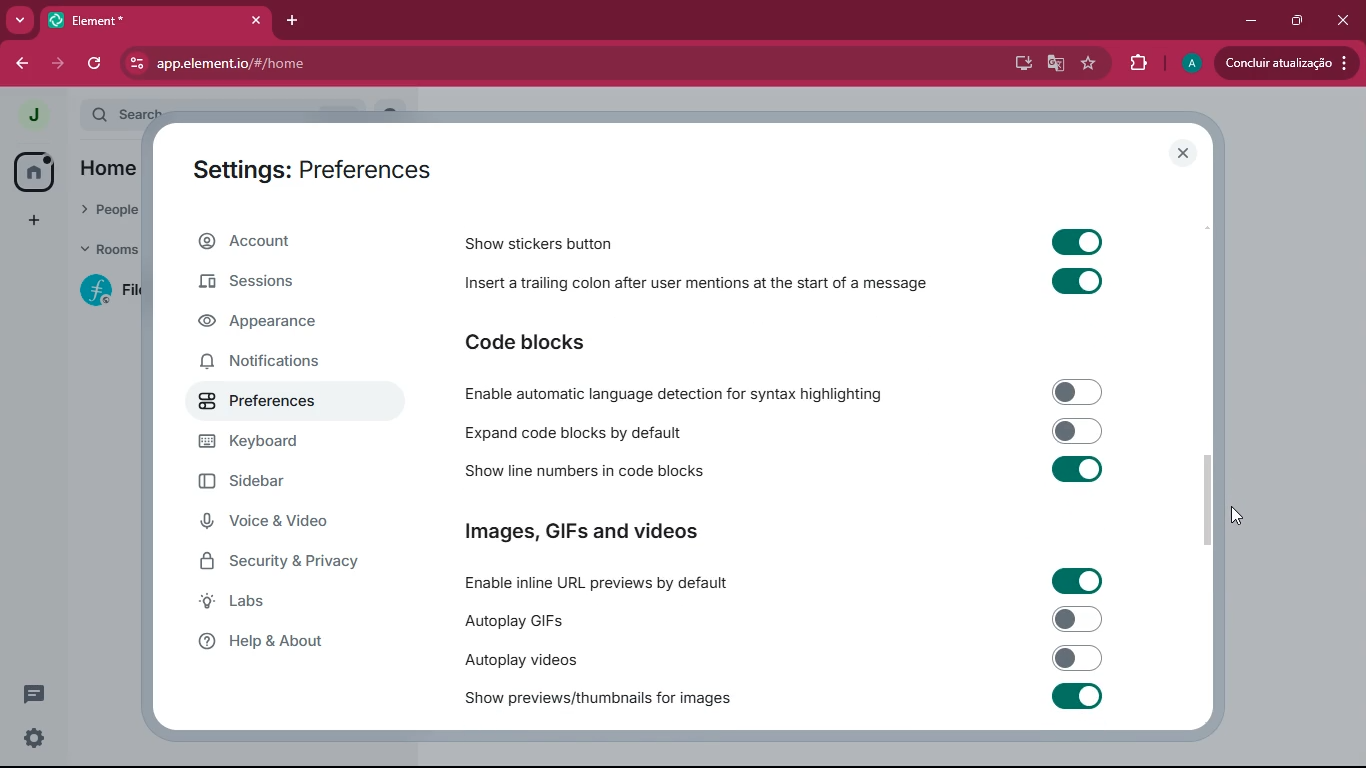 The image size is (1366, 768). What do you see at coordinates (290, 647) in the screenshot?
I see `help` at bounding box center [290, 647].